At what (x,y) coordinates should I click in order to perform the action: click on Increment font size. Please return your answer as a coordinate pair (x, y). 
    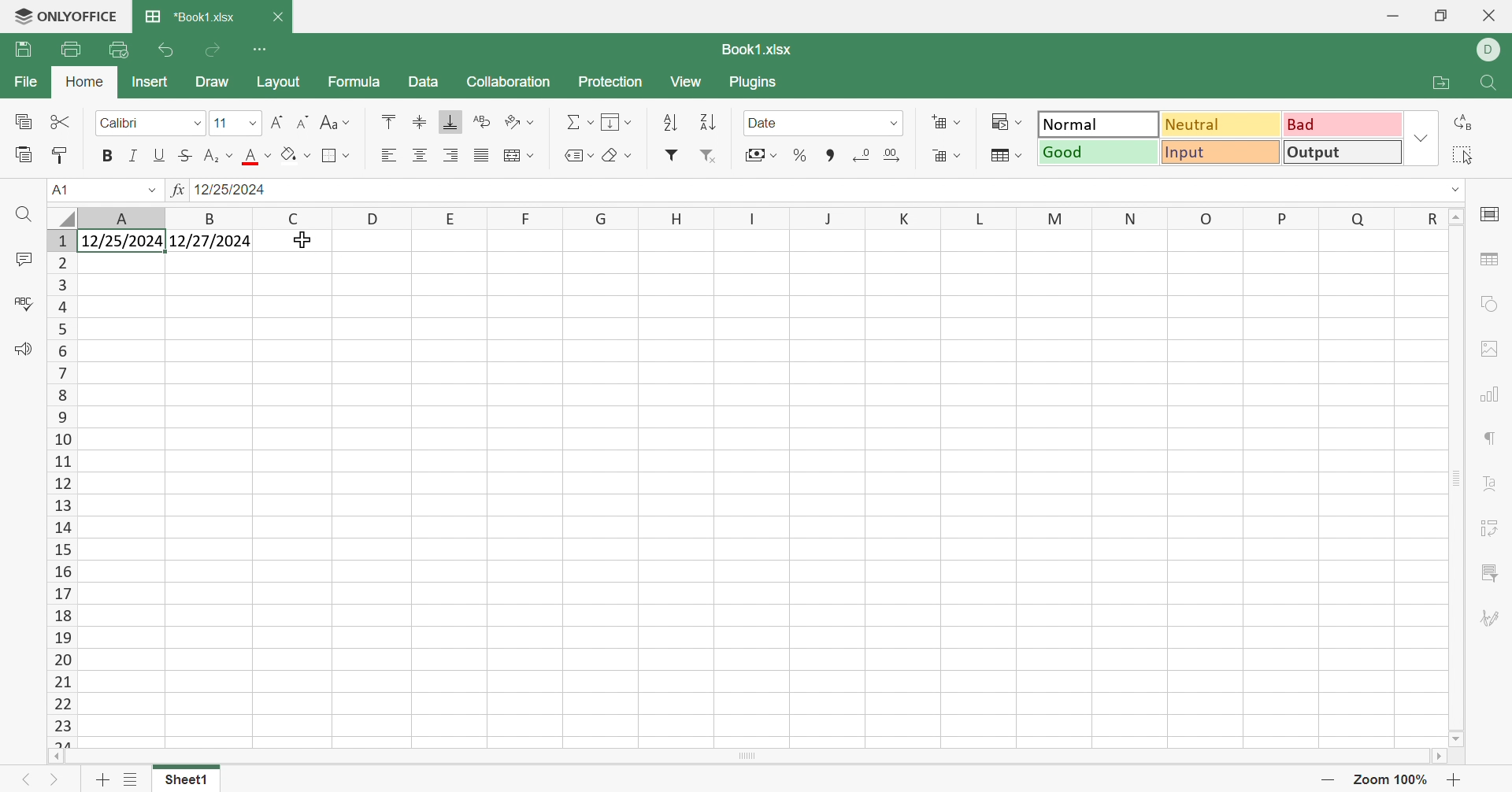
    Looking at the image, I should click on (276, 121).